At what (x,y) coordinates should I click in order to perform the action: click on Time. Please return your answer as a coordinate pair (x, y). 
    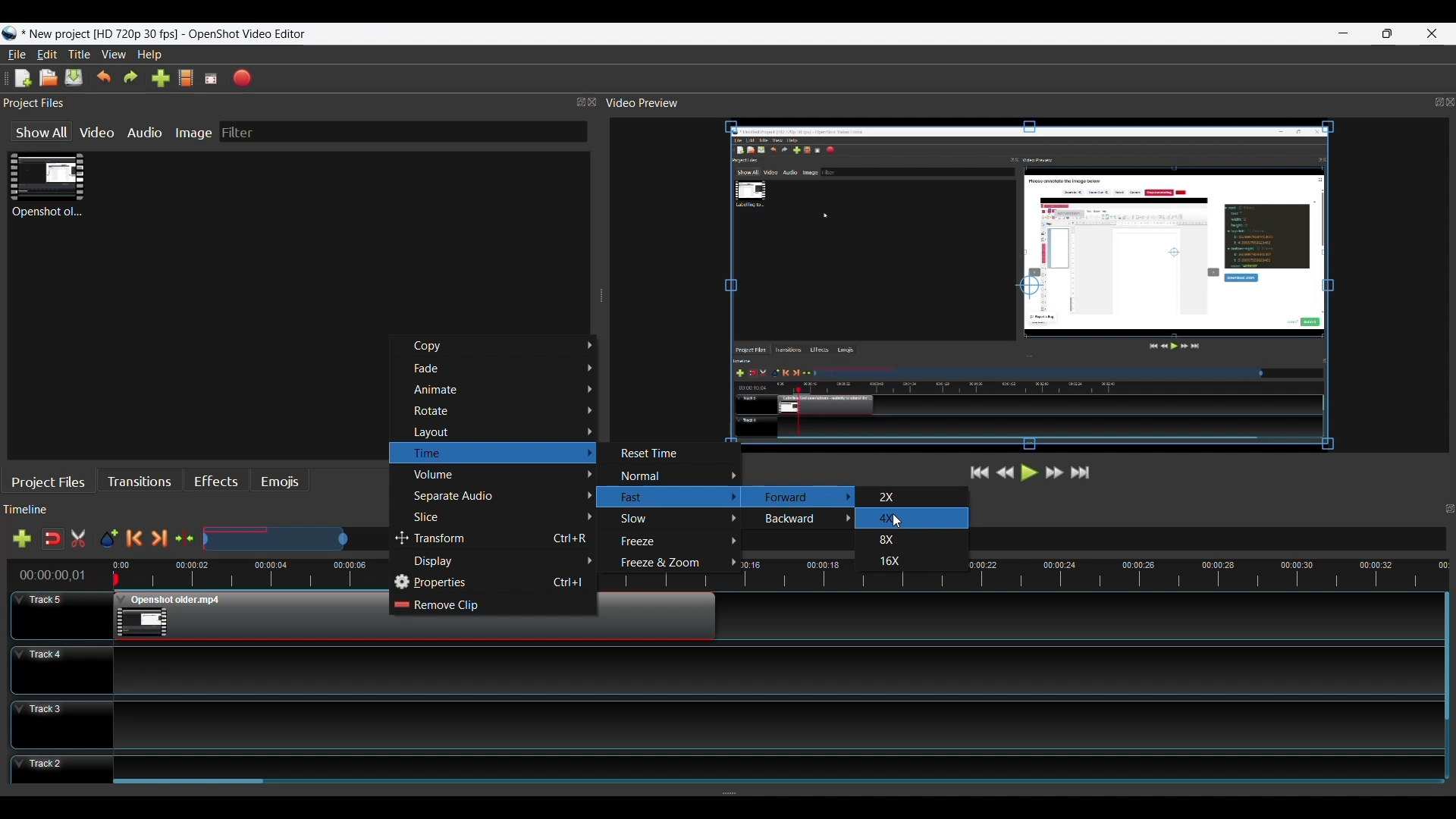
    Looking at the image, I should click on (491, 453).